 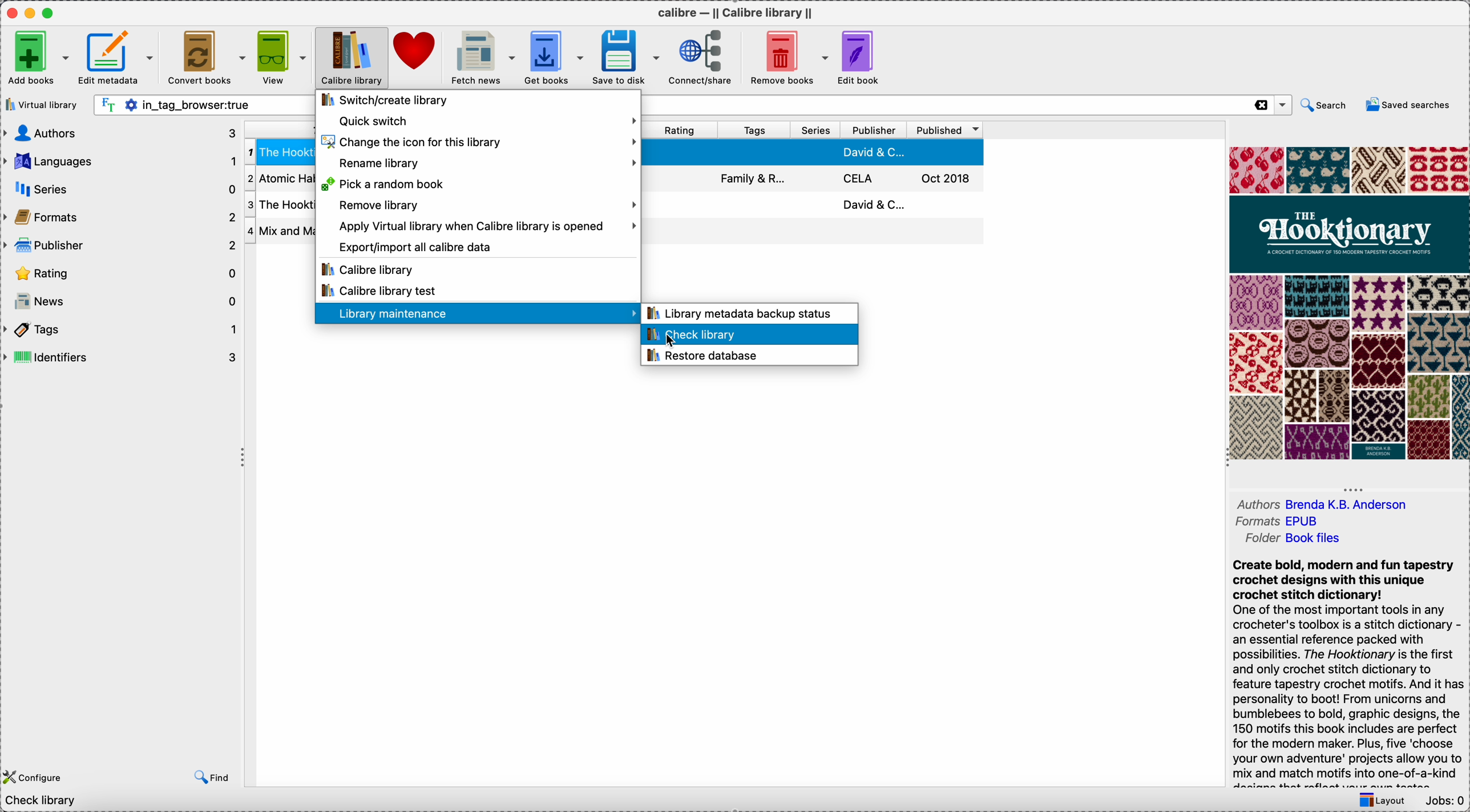 What do you see at coordinates (1291, 539) in the screenshot?
I see `folder` at bounding box center [1291, 539].